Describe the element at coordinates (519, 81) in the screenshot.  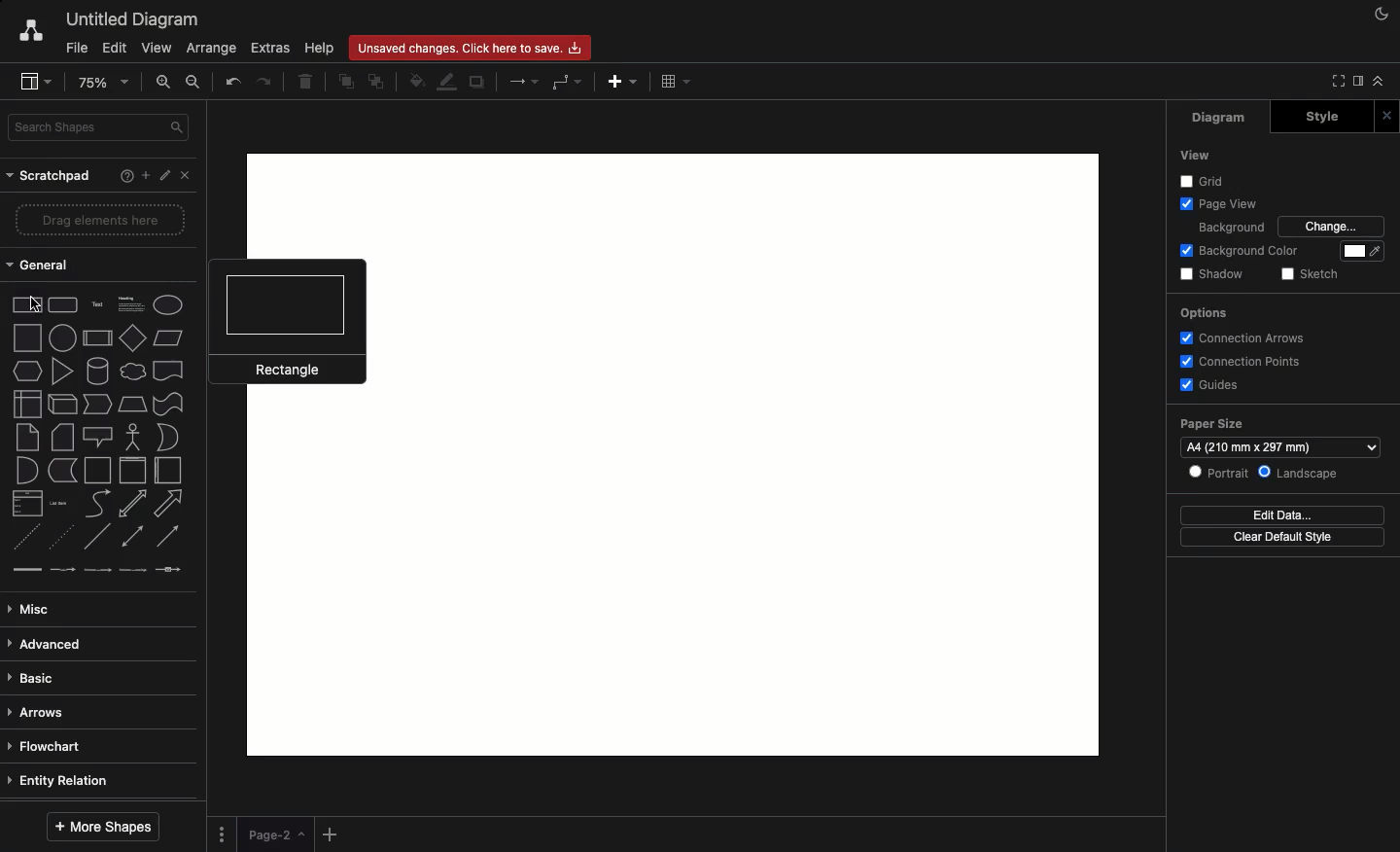
I see `Arrows` at that location.